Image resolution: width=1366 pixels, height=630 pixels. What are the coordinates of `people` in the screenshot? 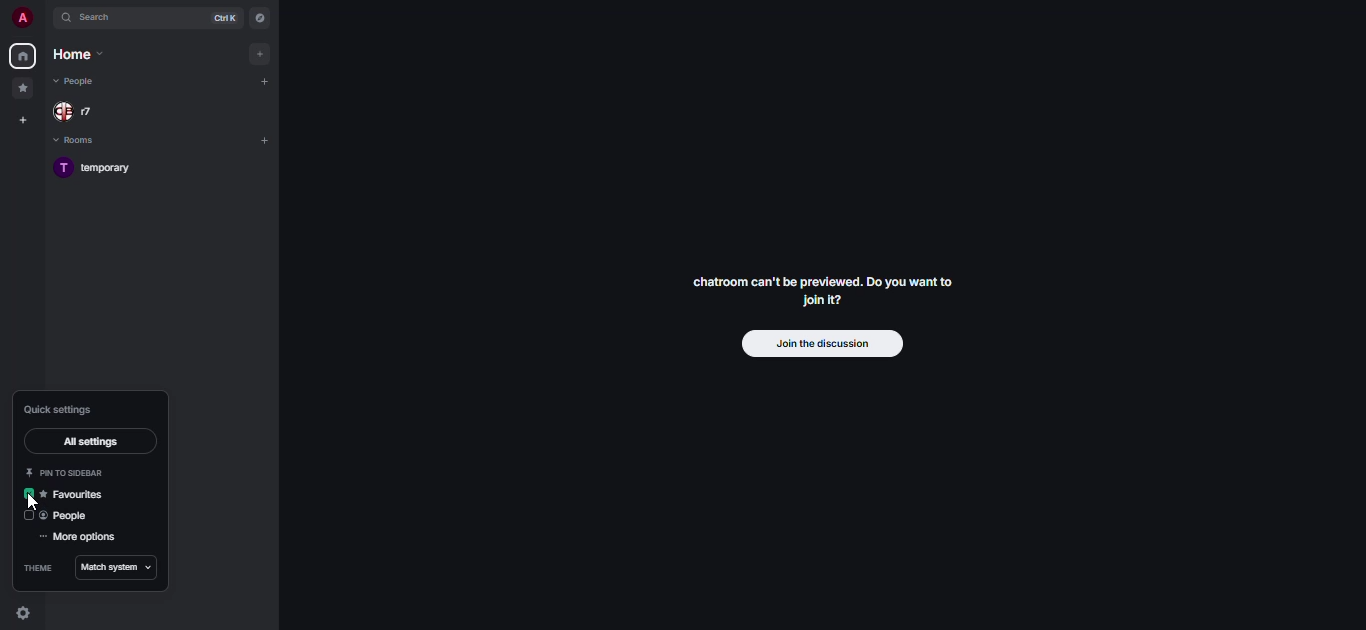 It's located at (66, 518).